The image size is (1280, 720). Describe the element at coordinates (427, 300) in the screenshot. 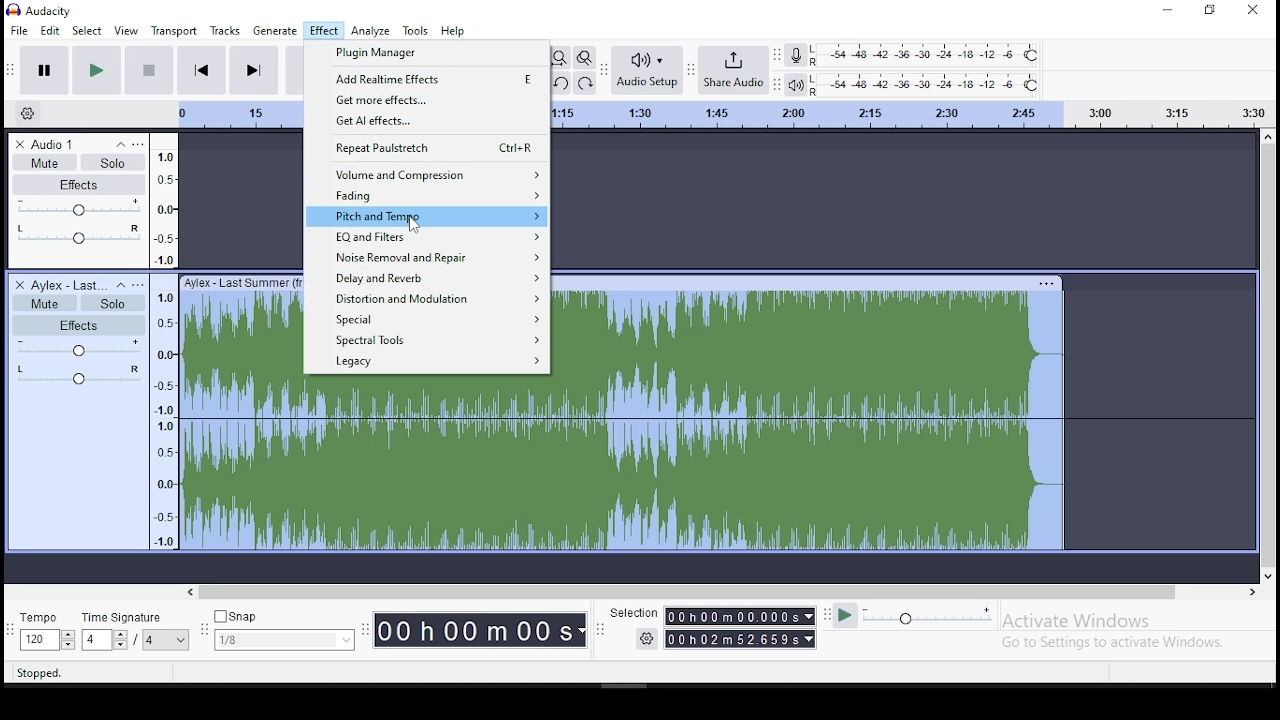

I see `distortion and modulation` at that location.